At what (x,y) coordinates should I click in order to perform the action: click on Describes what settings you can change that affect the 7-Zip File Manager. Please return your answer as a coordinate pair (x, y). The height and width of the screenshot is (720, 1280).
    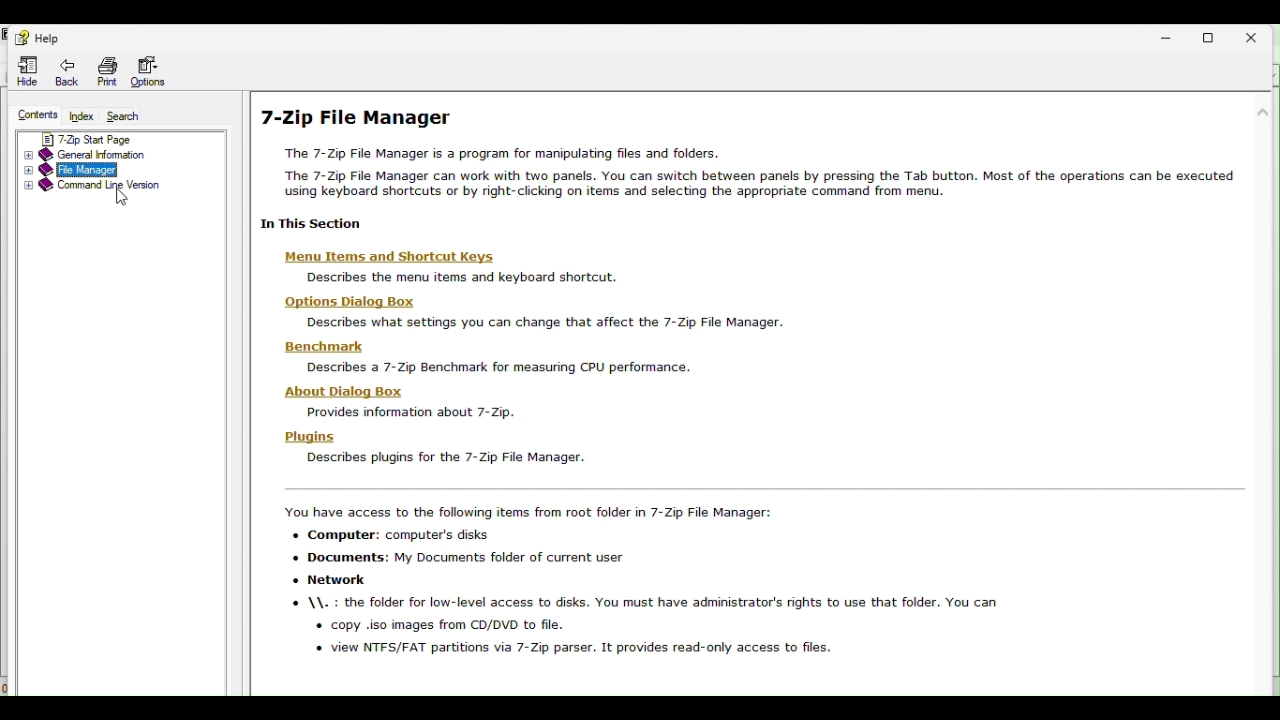
    Looking at the image, I should click on (550, 321).